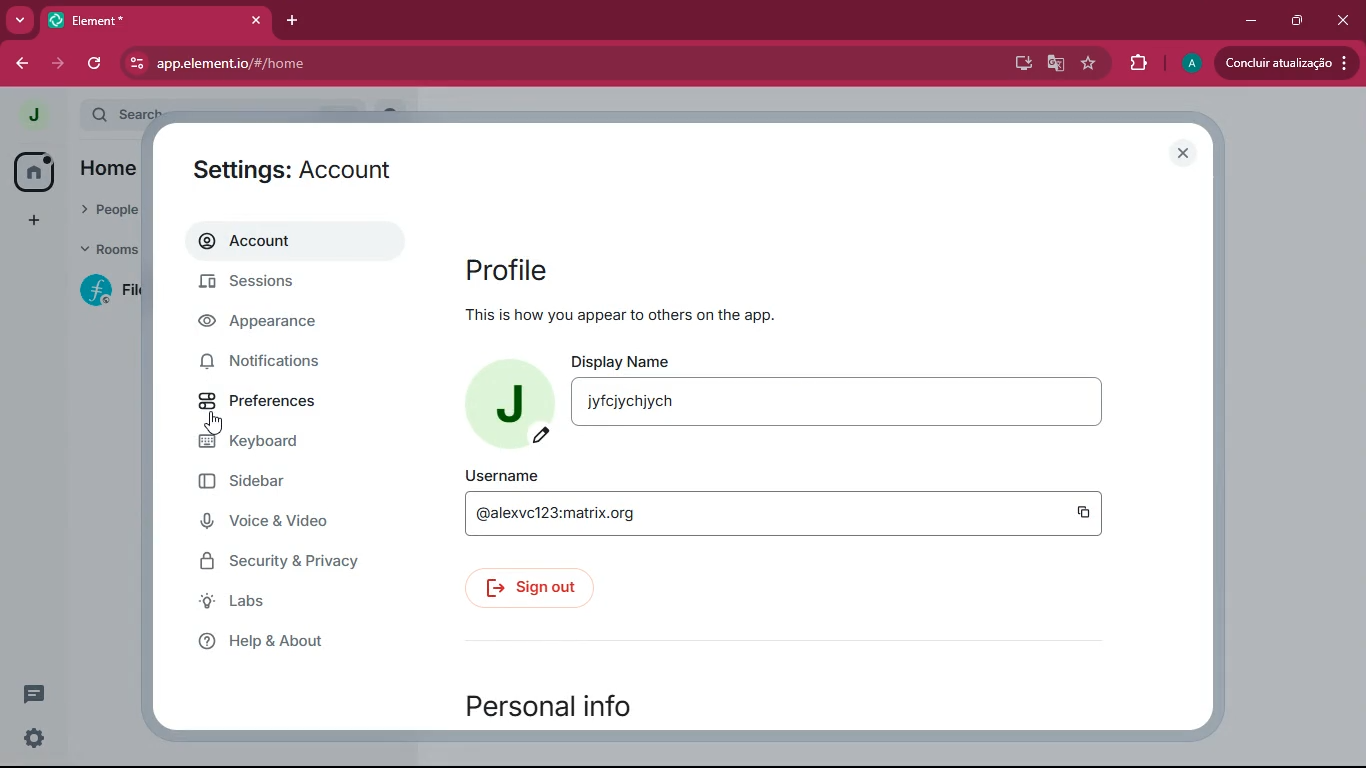 Image resolution: width=1366 pixels, height=768 pixels. Describe the element at coordinates (276, 523) in the screenshot. I see `voice & video` at that location.